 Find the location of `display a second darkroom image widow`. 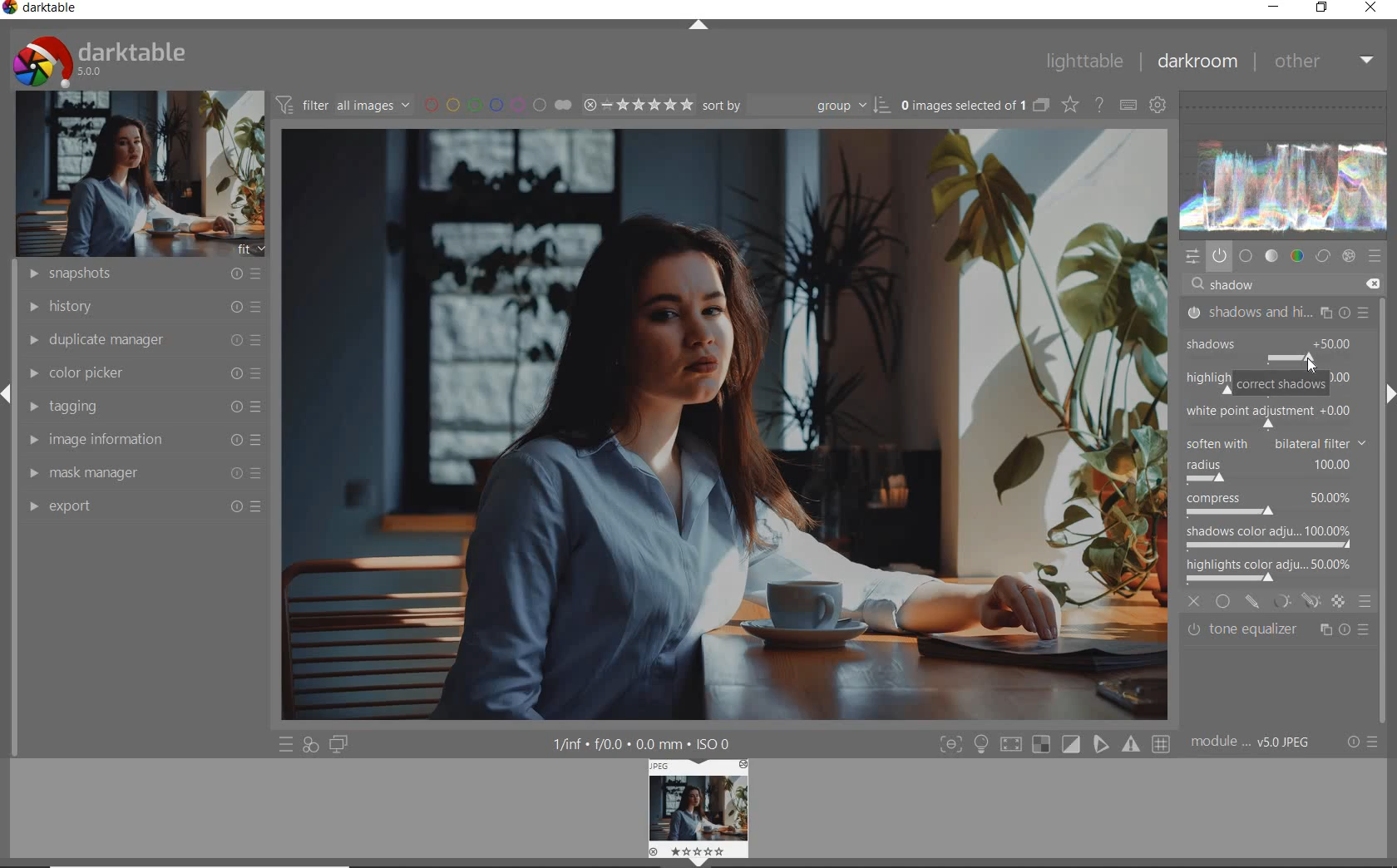

display a second darkroom image widow is located at coordinates (342, 746).